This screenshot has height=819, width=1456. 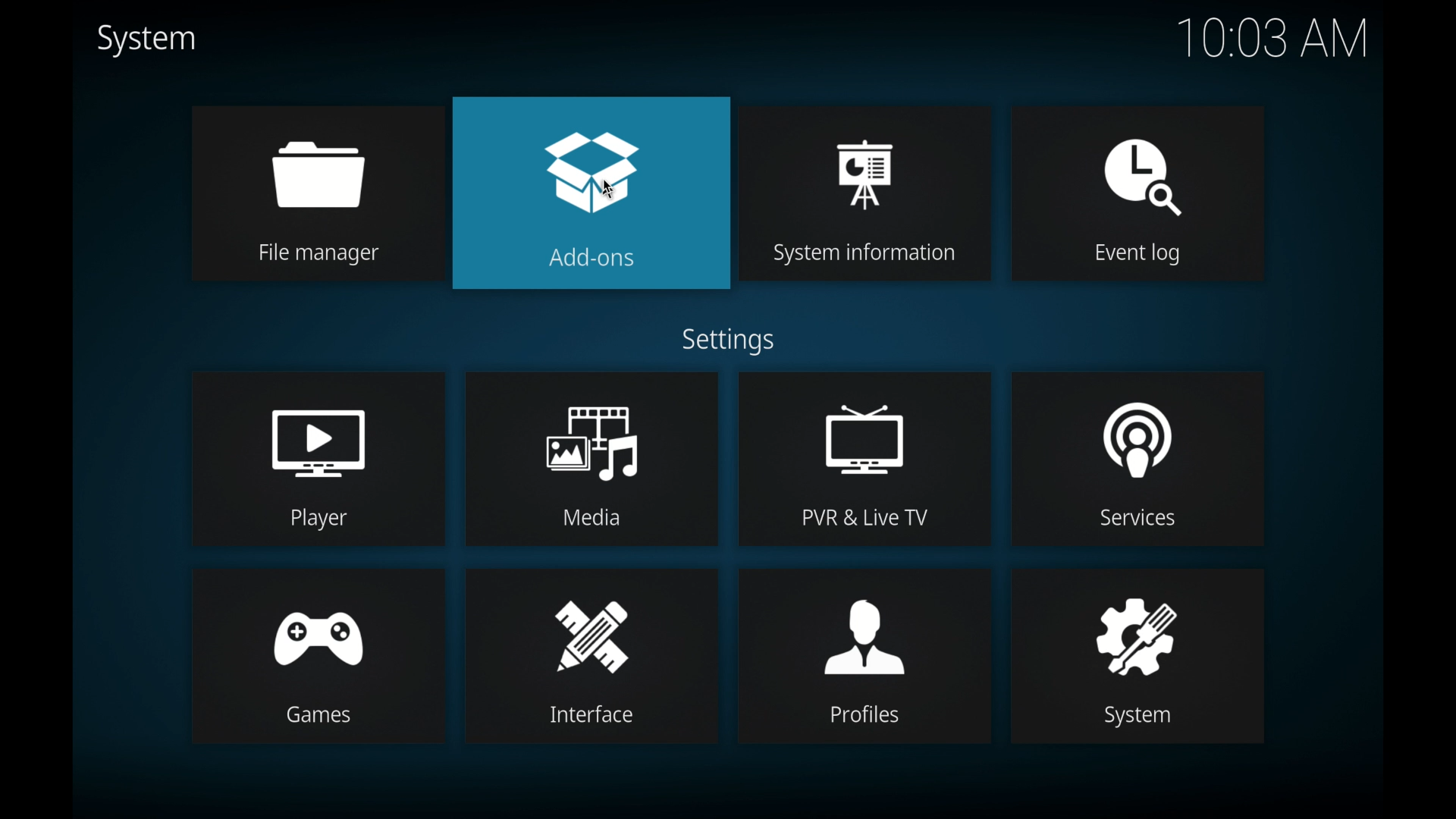 I want to click on system, so click(x=146, y=40).